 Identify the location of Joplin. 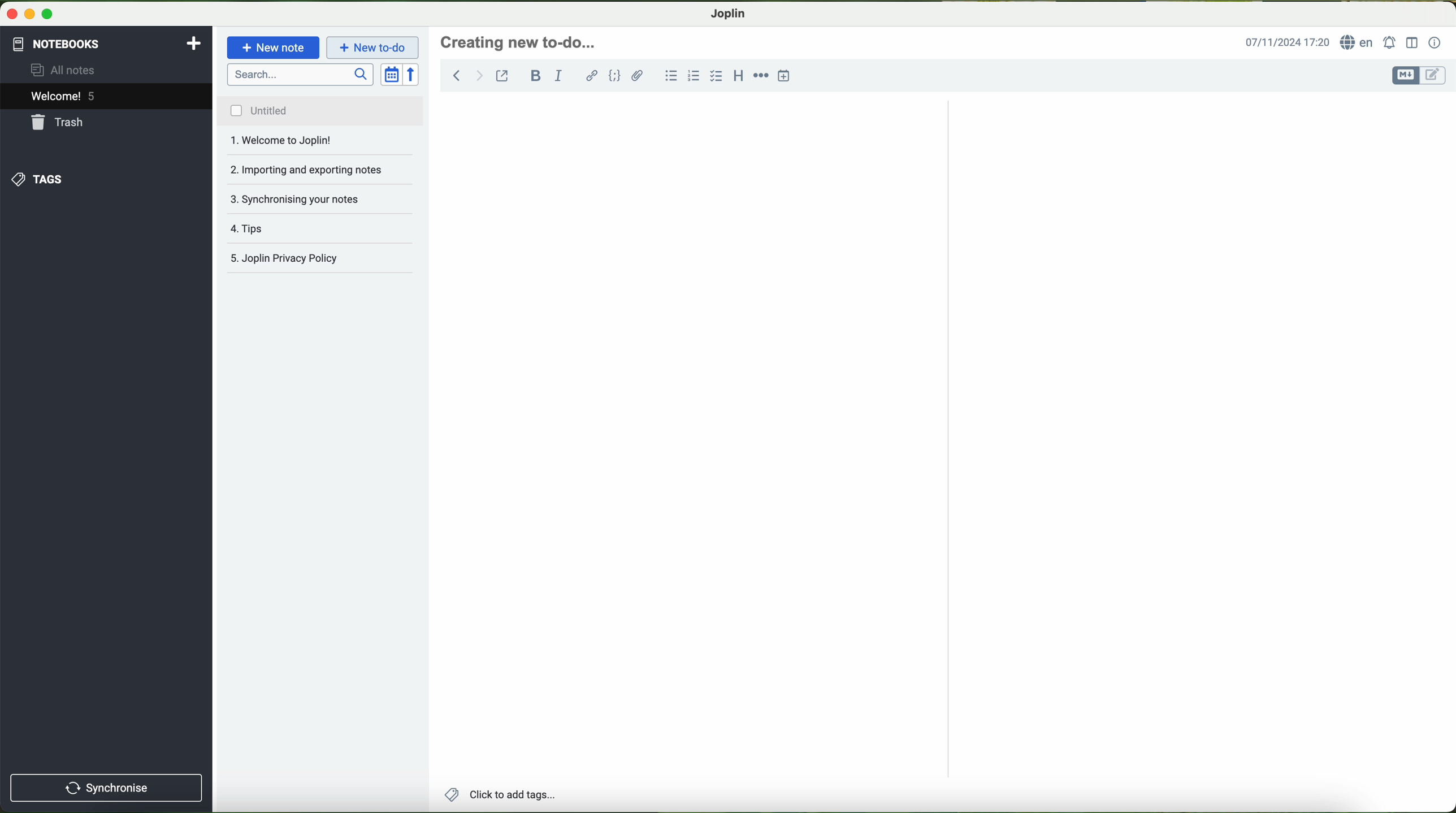
(729, 12).